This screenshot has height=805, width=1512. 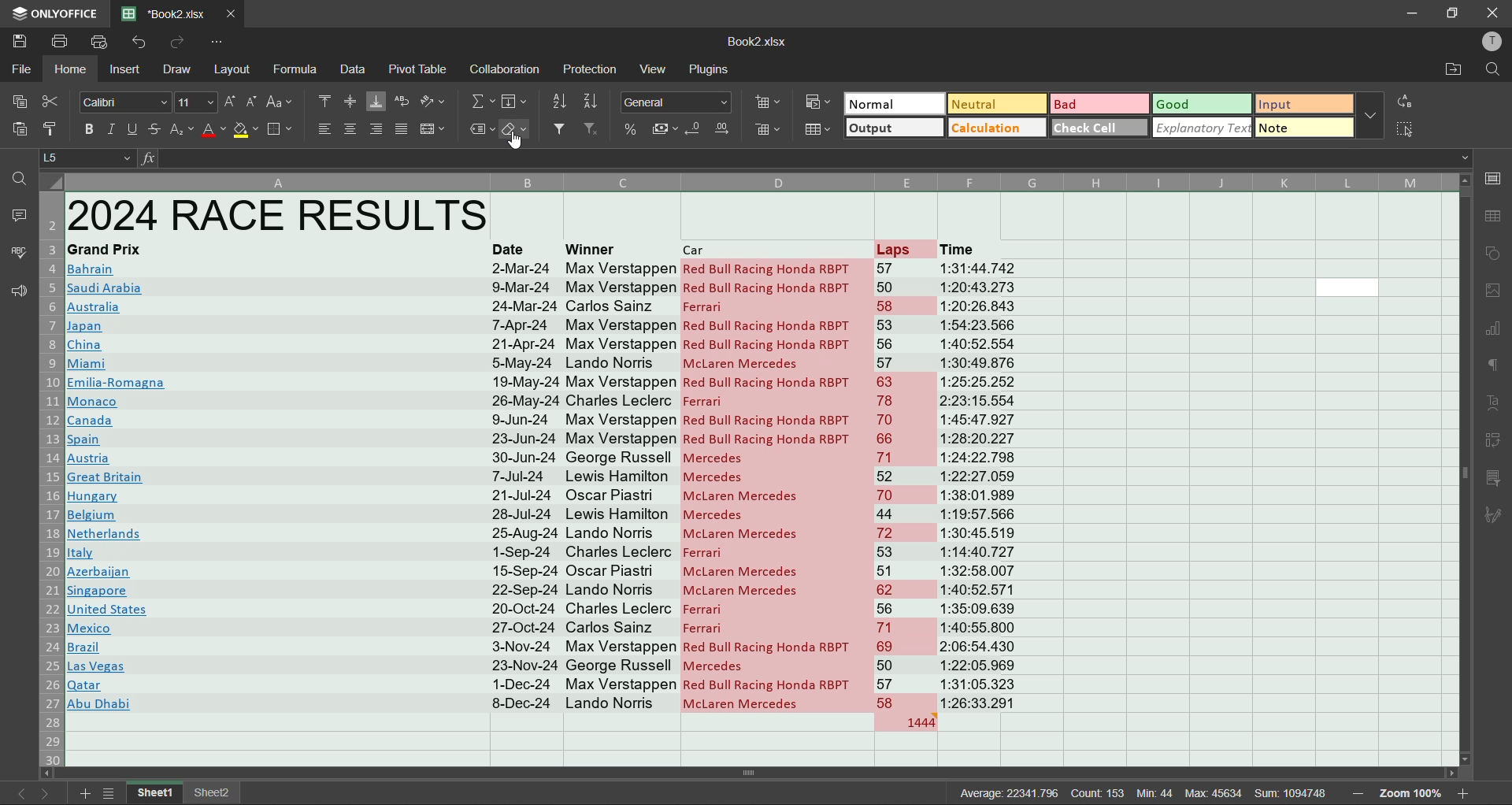 I want to click on customize quick access toolbar, so click(x=219, y=43).